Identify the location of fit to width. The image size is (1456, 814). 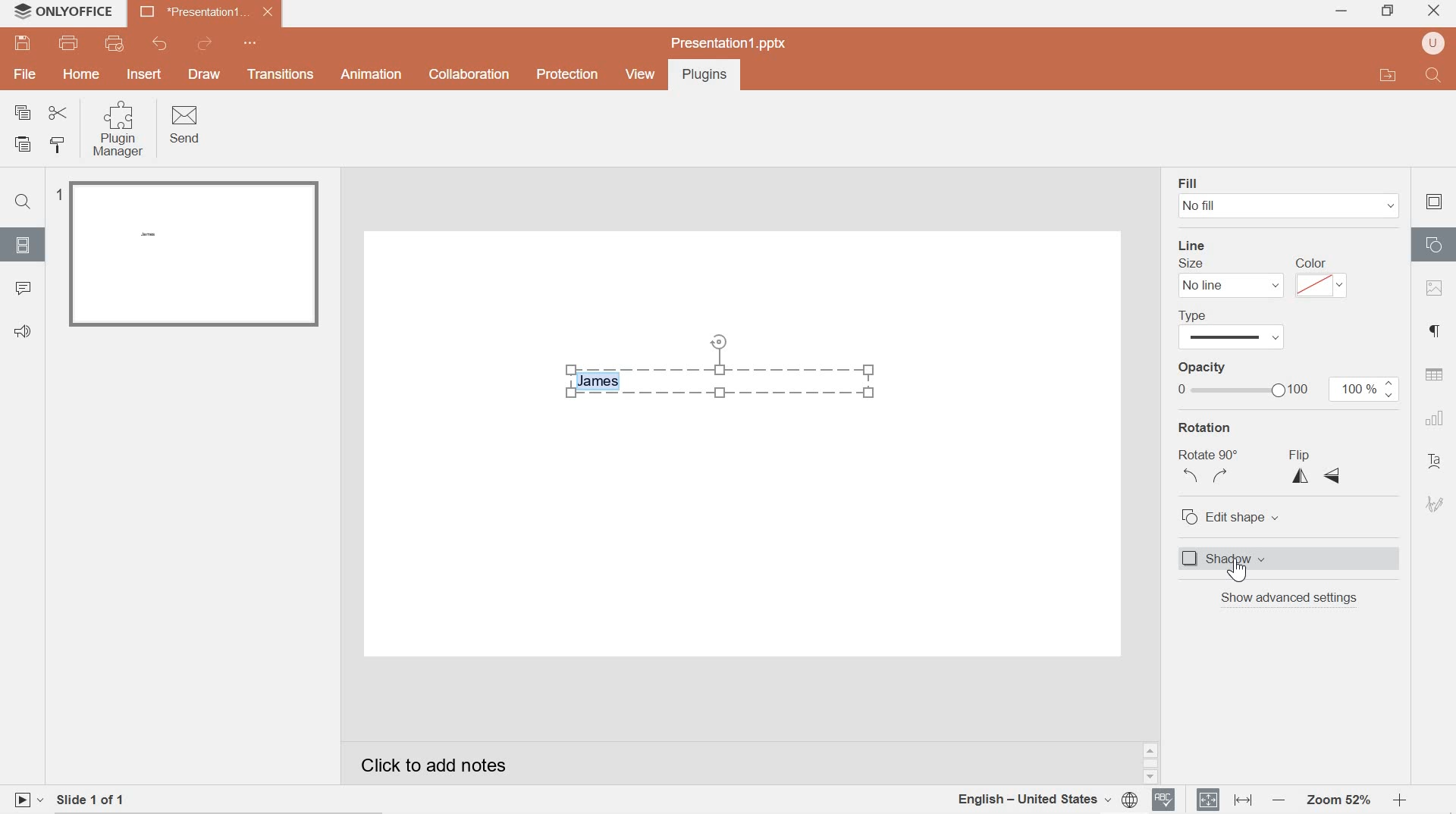
(1241, 800).